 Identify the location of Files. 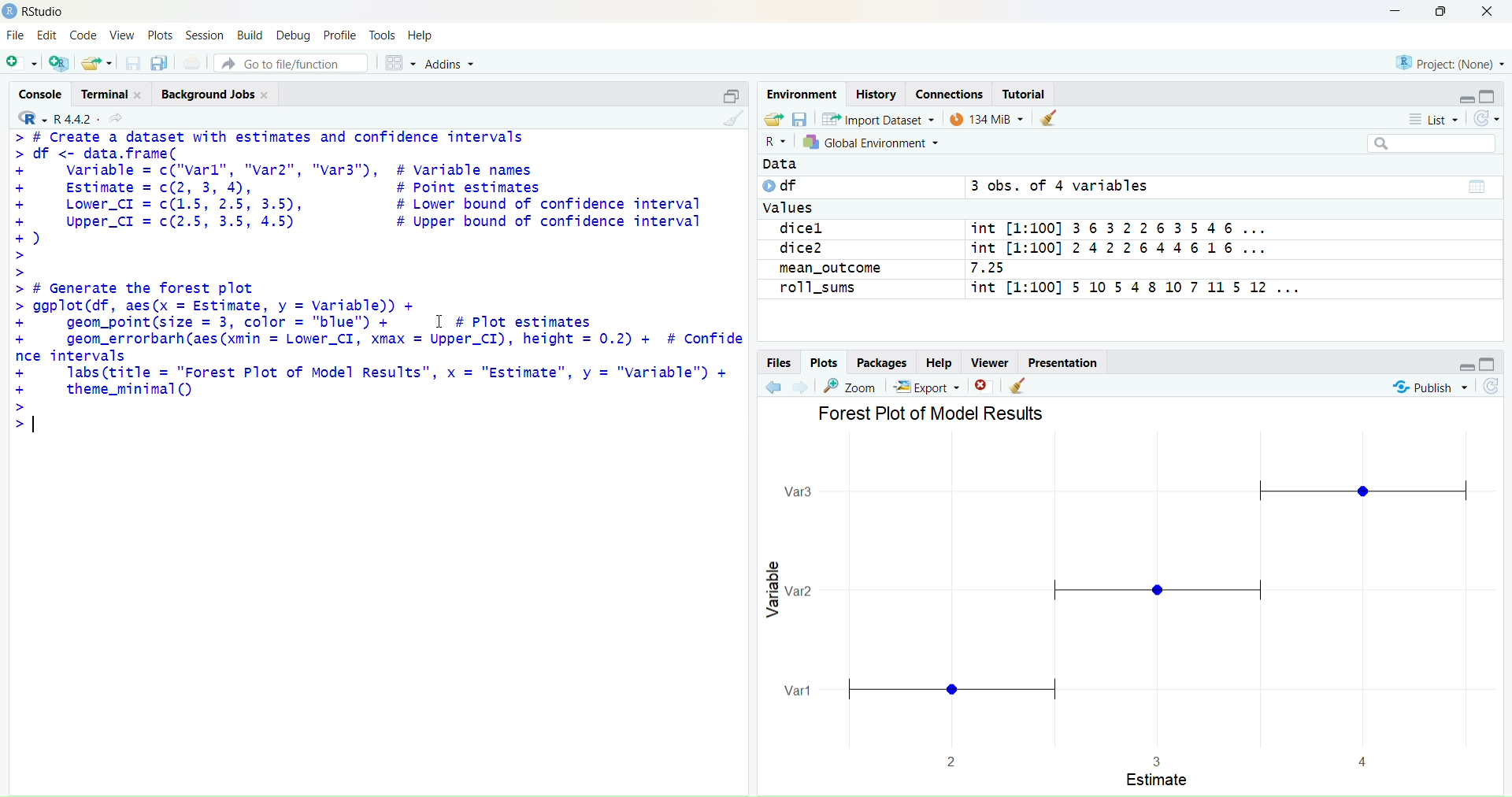
(780, 364).